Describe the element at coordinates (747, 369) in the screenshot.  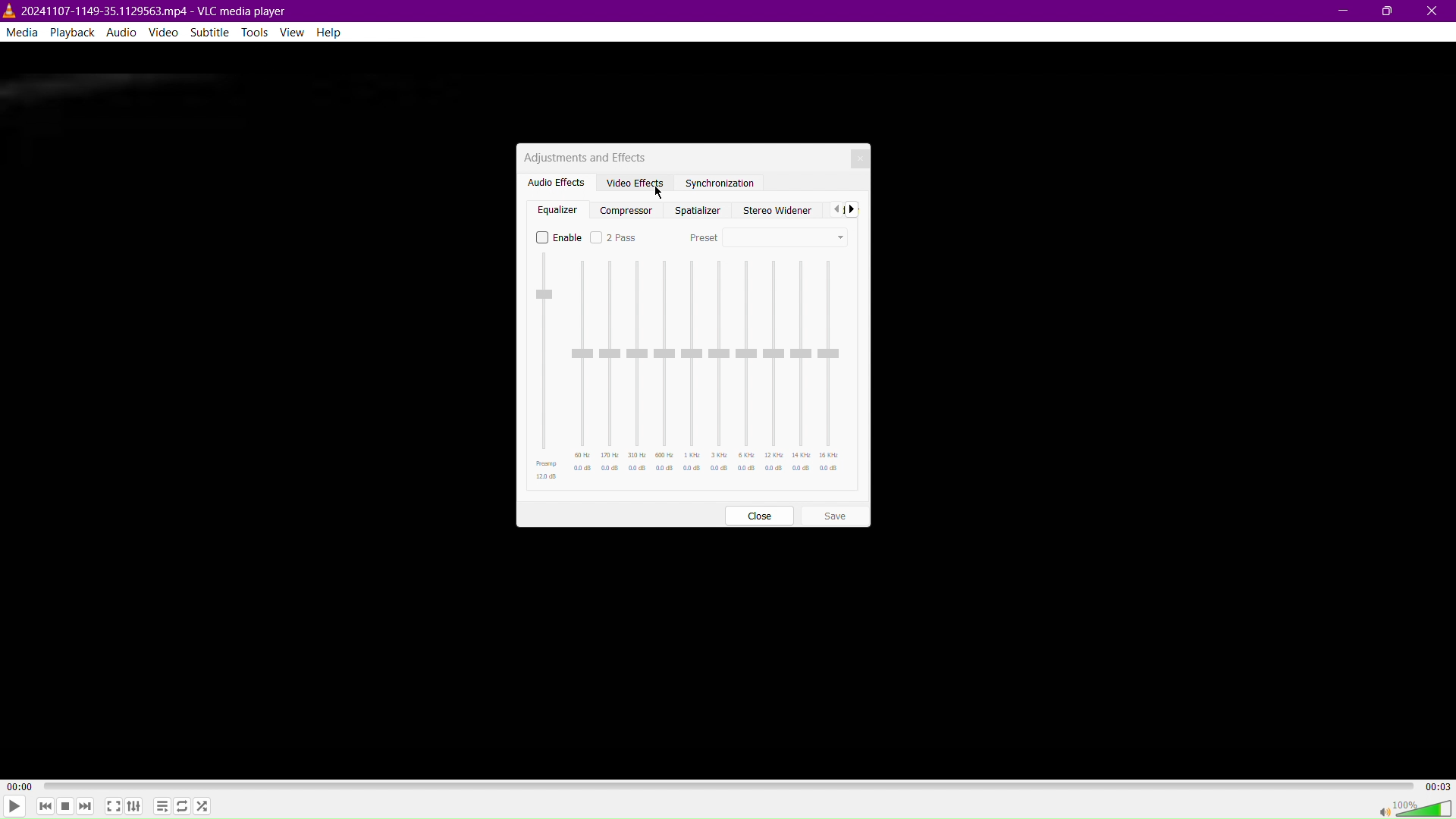
I see `6 KHz Equalizer` at that location.